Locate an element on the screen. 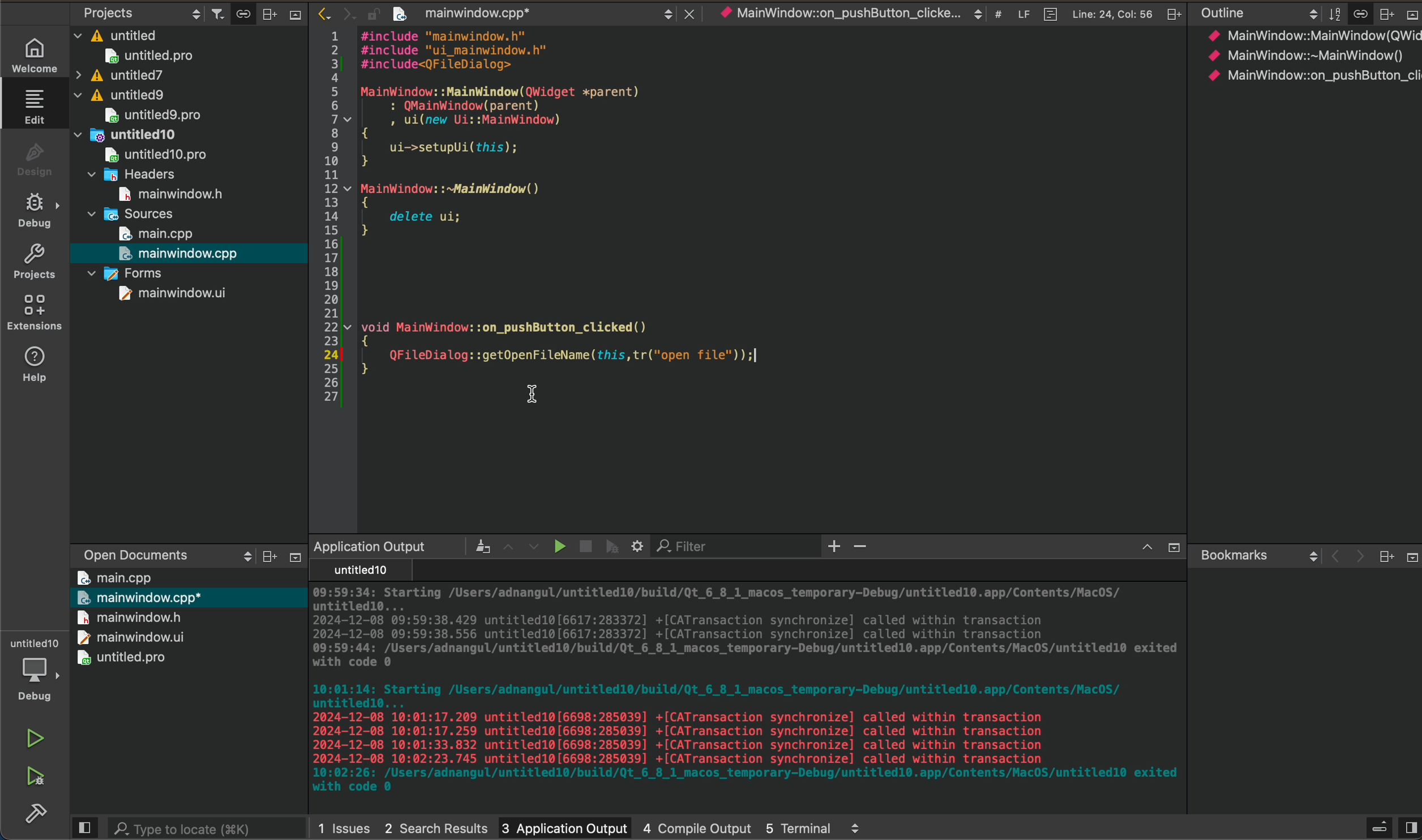  filter is located at coordinates (213, 12).